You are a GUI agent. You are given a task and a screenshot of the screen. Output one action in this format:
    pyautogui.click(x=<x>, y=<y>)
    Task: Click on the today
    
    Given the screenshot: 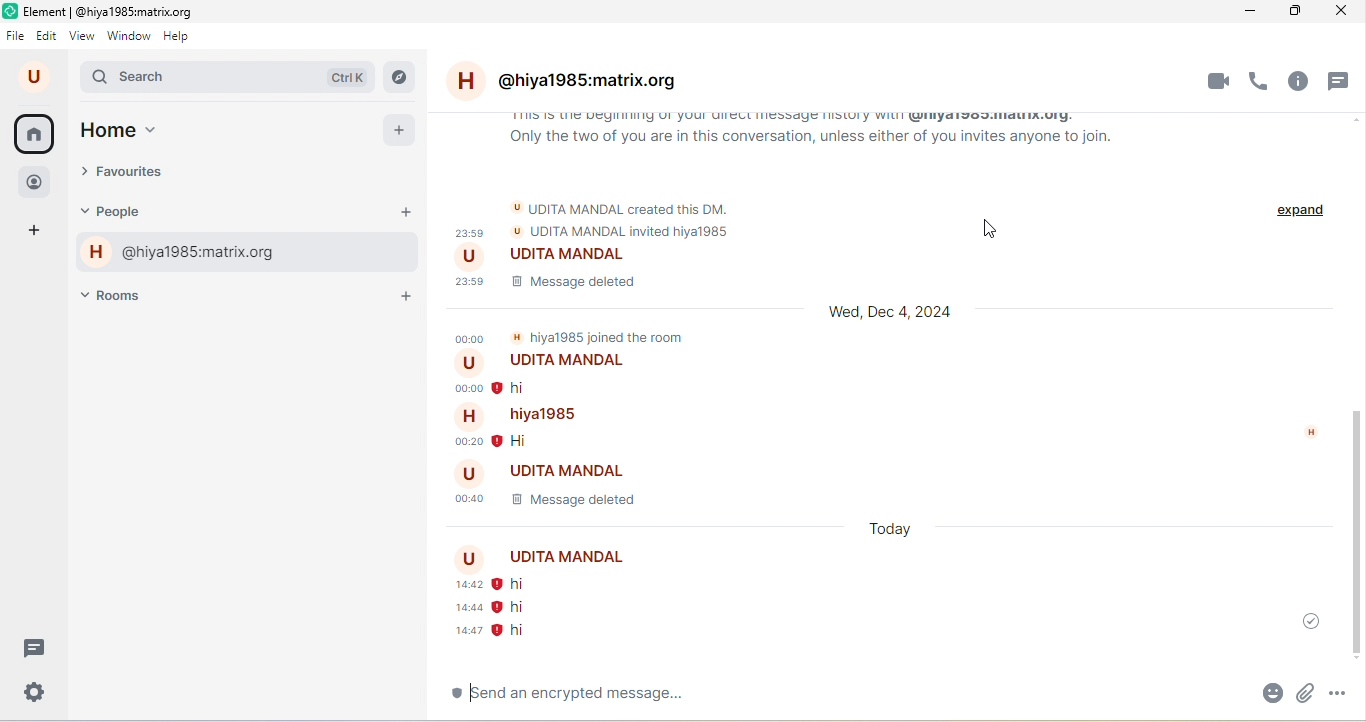 What is the action you would take?
    pyautogui.click(x=891, y=530)
    